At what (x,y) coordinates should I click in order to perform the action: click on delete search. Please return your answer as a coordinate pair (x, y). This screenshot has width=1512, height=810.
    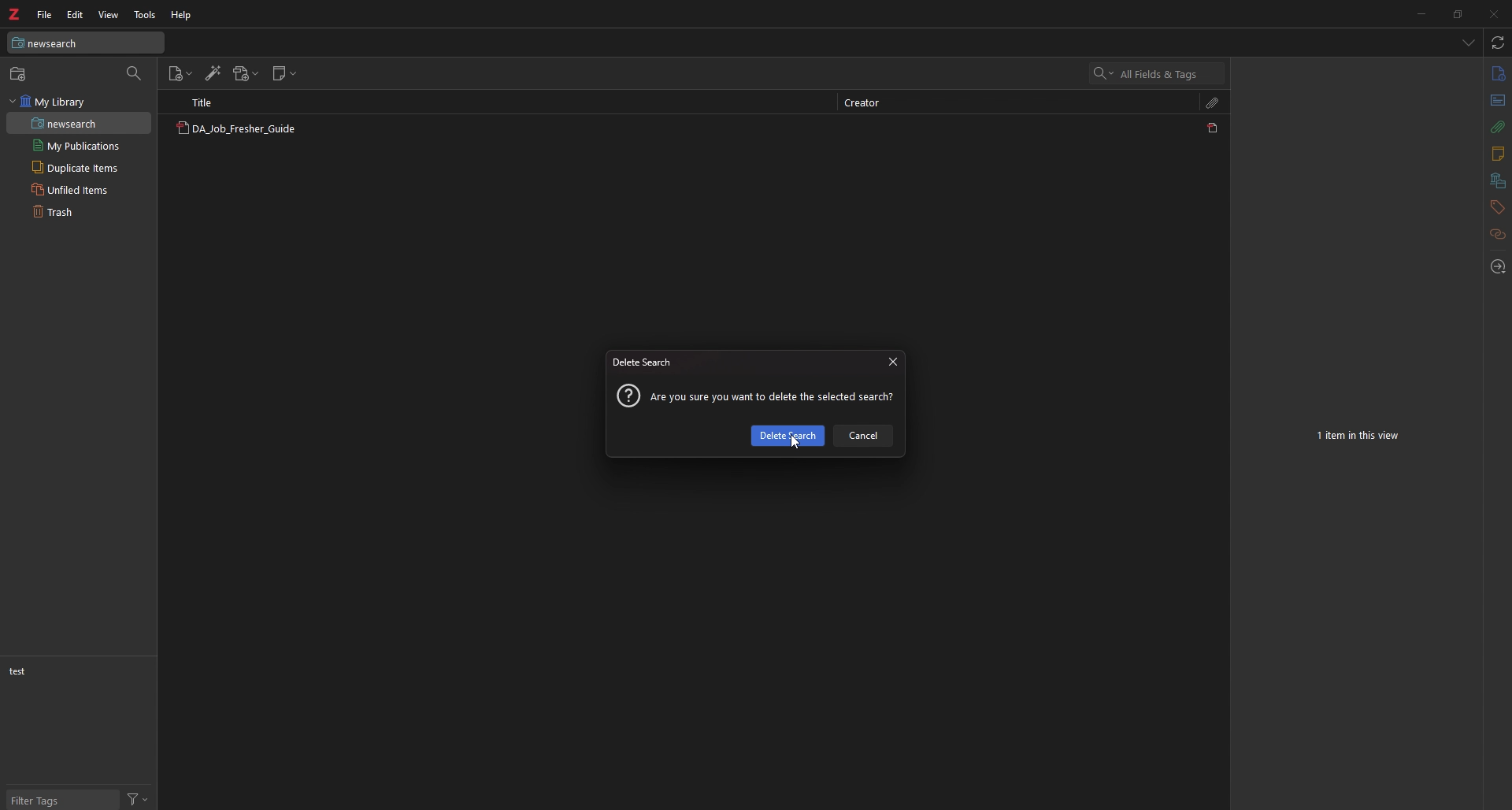
    Looking at the image, I should click on (788, 436).